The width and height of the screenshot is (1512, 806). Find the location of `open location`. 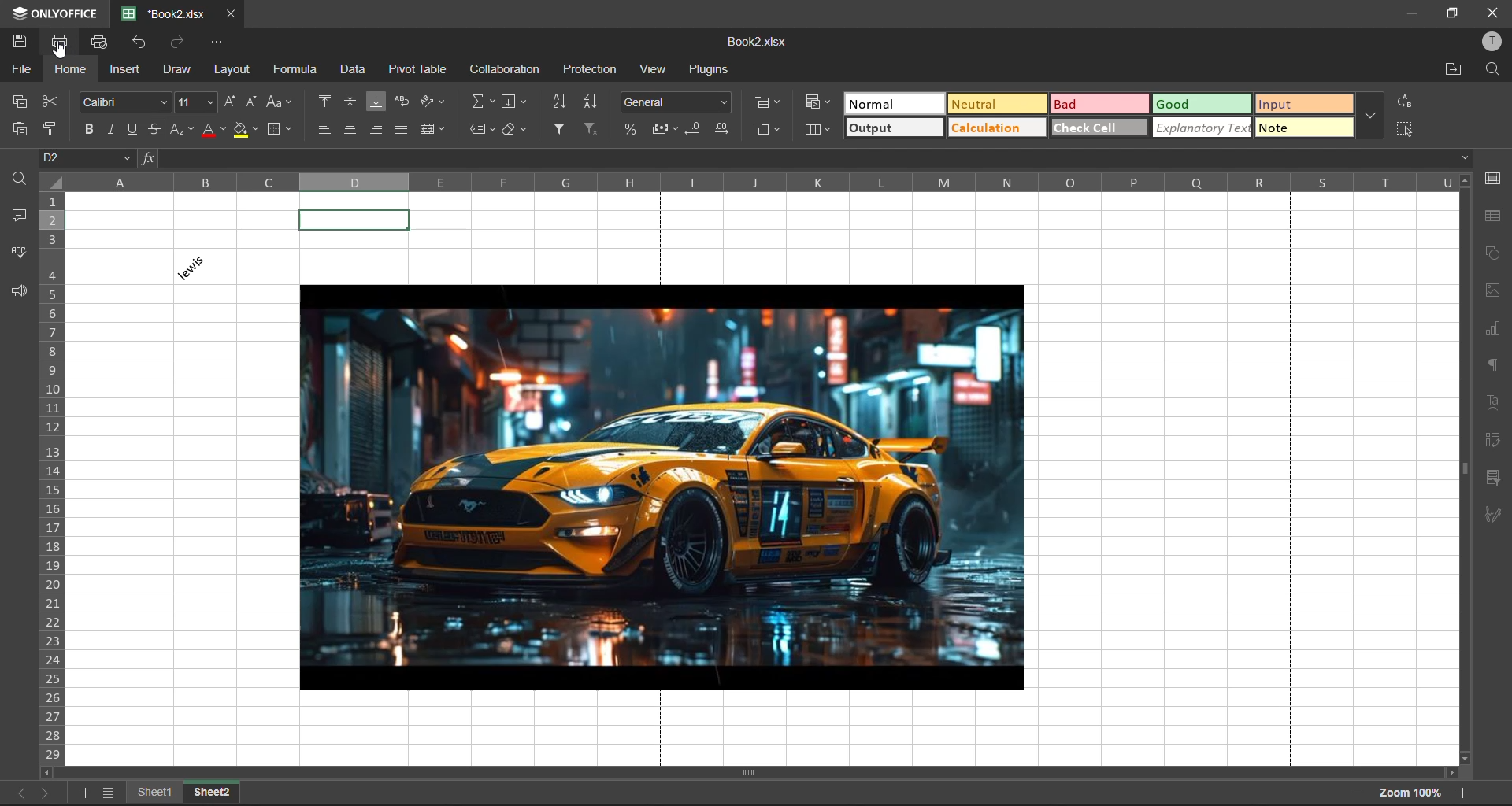

open location is located at coordinates (1455, 70).